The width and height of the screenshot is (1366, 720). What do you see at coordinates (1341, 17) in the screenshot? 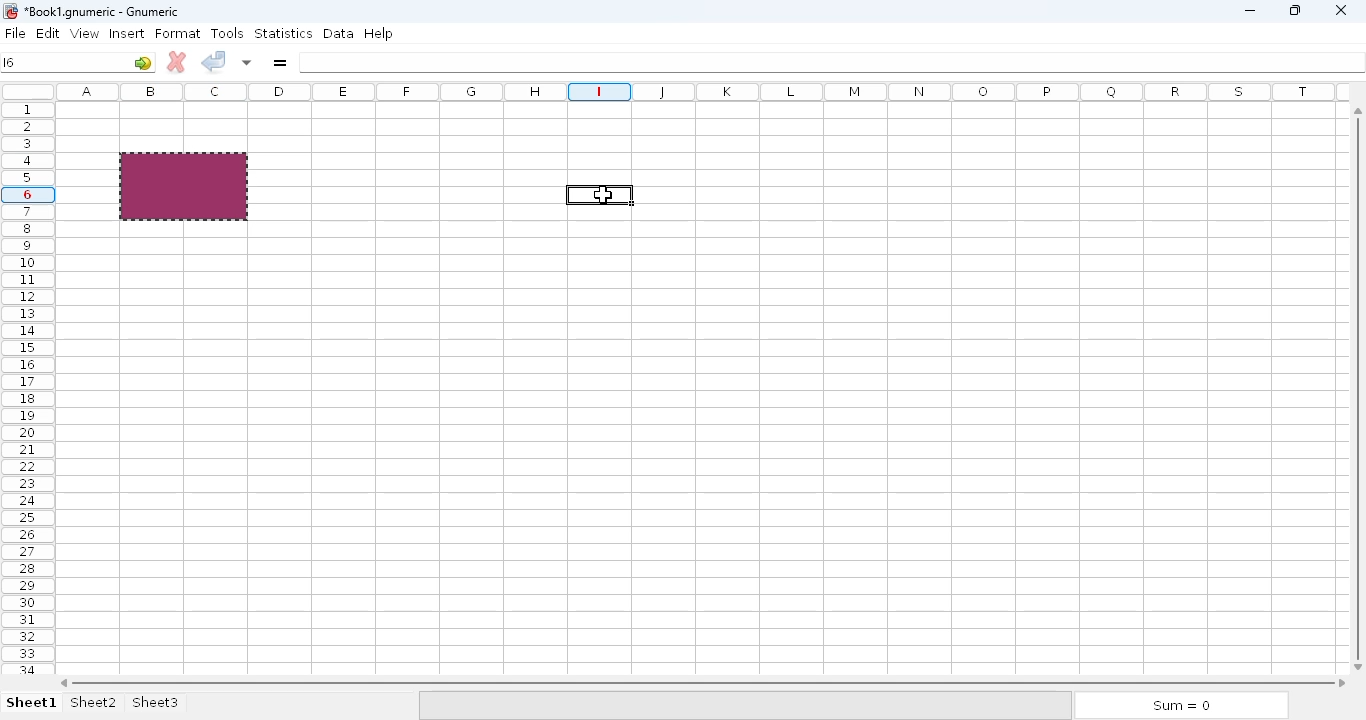
I see `close` at bounding box center [1341, 17].